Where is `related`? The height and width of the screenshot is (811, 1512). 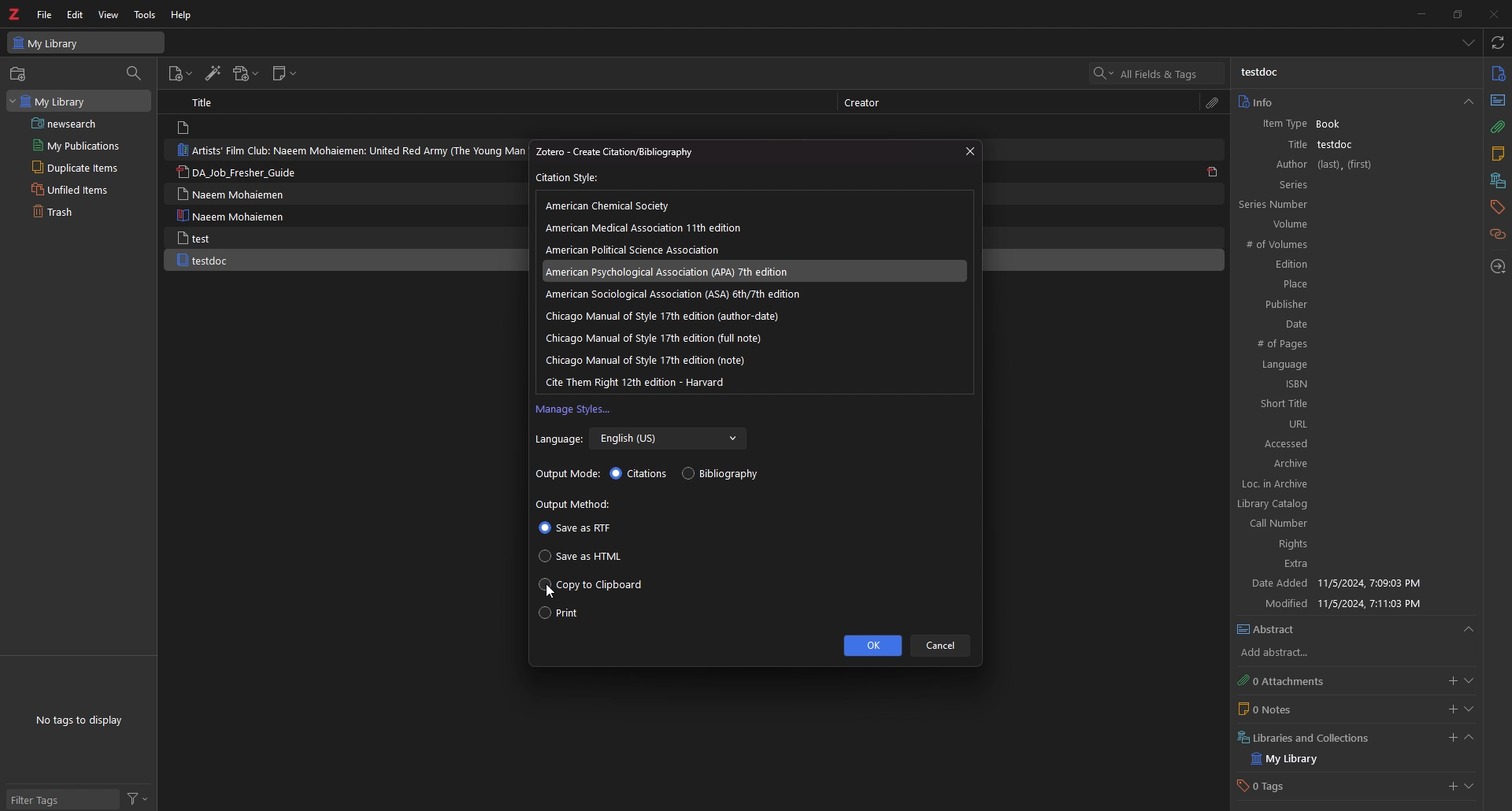 related is located at coordinates (1499, 235).